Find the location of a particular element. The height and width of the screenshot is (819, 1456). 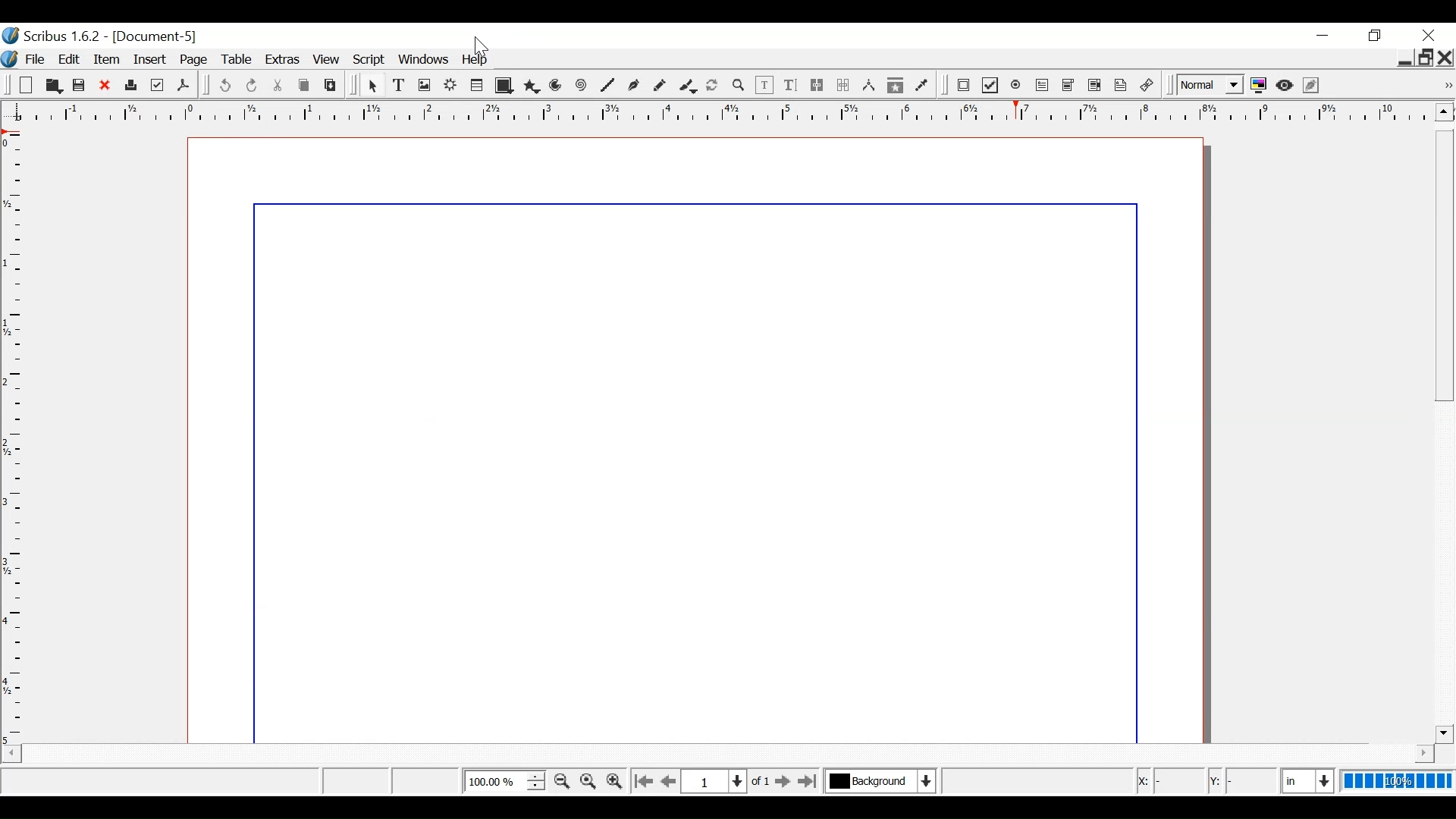

Item is located at coordinates (108, 59).